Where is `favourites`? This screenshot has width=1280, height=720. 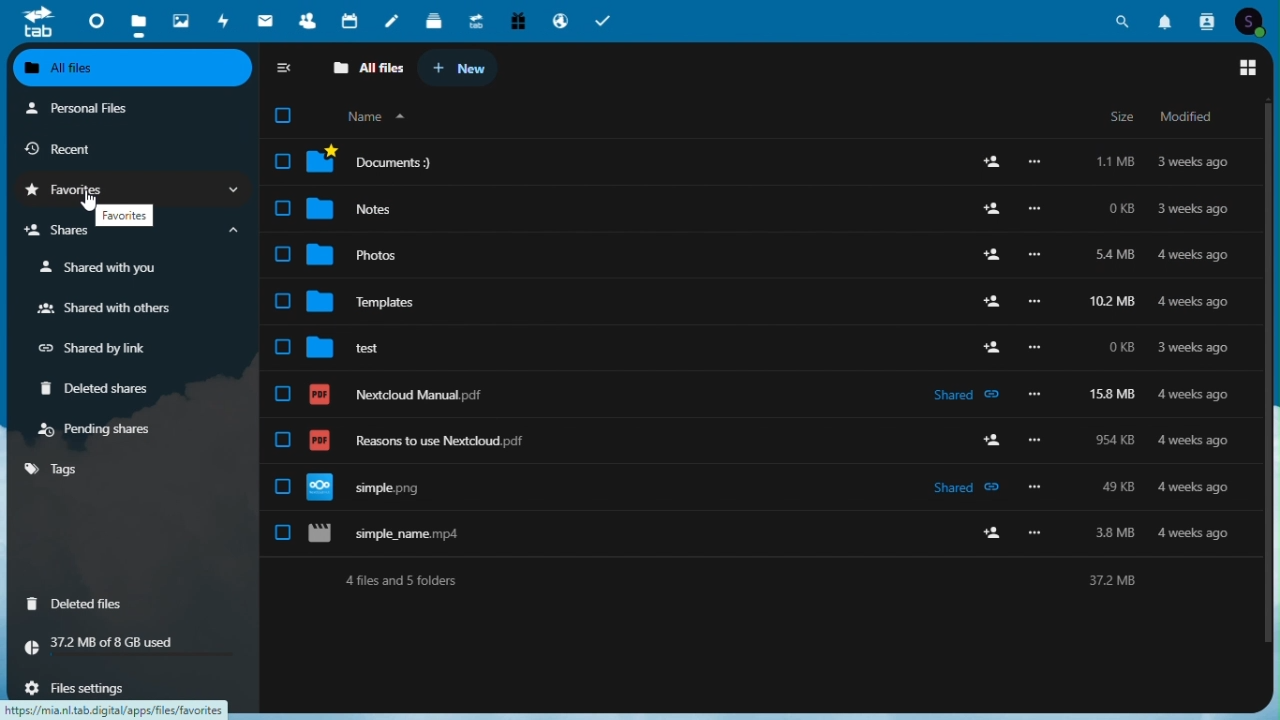 favourites is located at coordinates (125, 187).